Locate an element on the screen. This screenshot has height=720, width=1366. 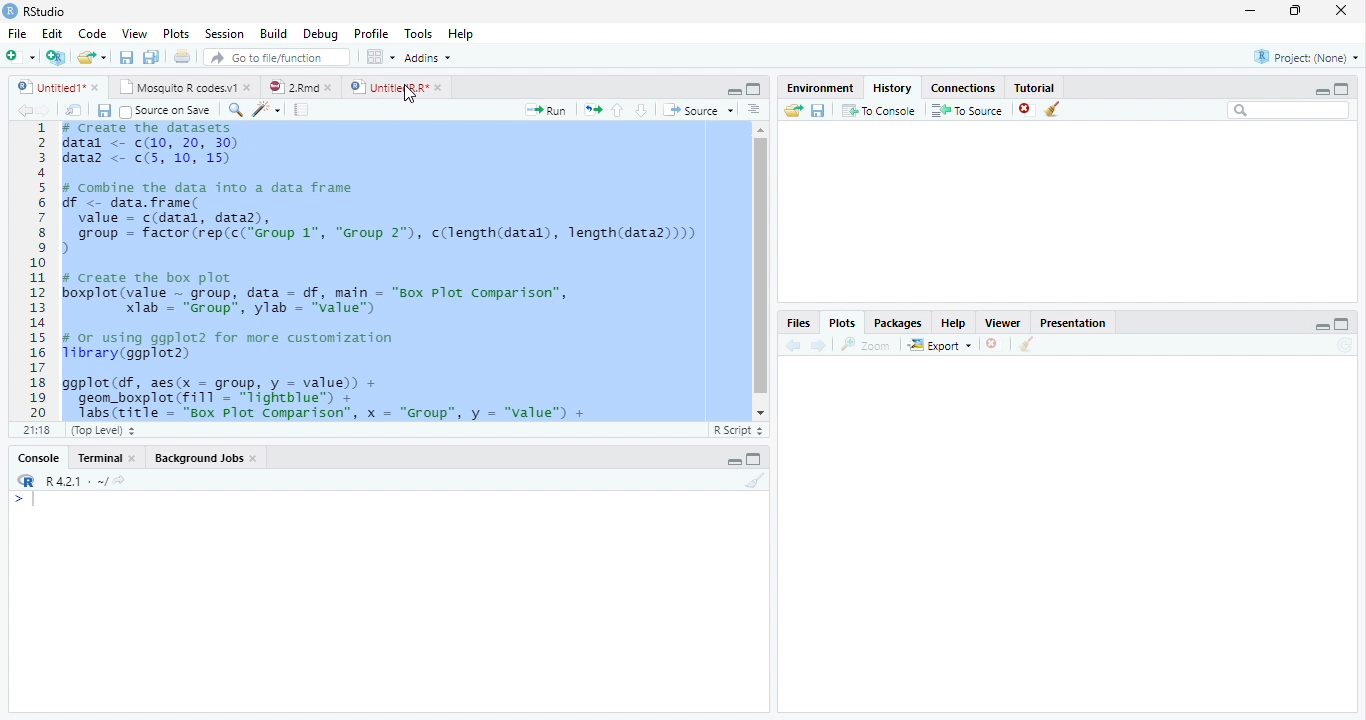
Project: (None) is located at coordinates (1307, 57).